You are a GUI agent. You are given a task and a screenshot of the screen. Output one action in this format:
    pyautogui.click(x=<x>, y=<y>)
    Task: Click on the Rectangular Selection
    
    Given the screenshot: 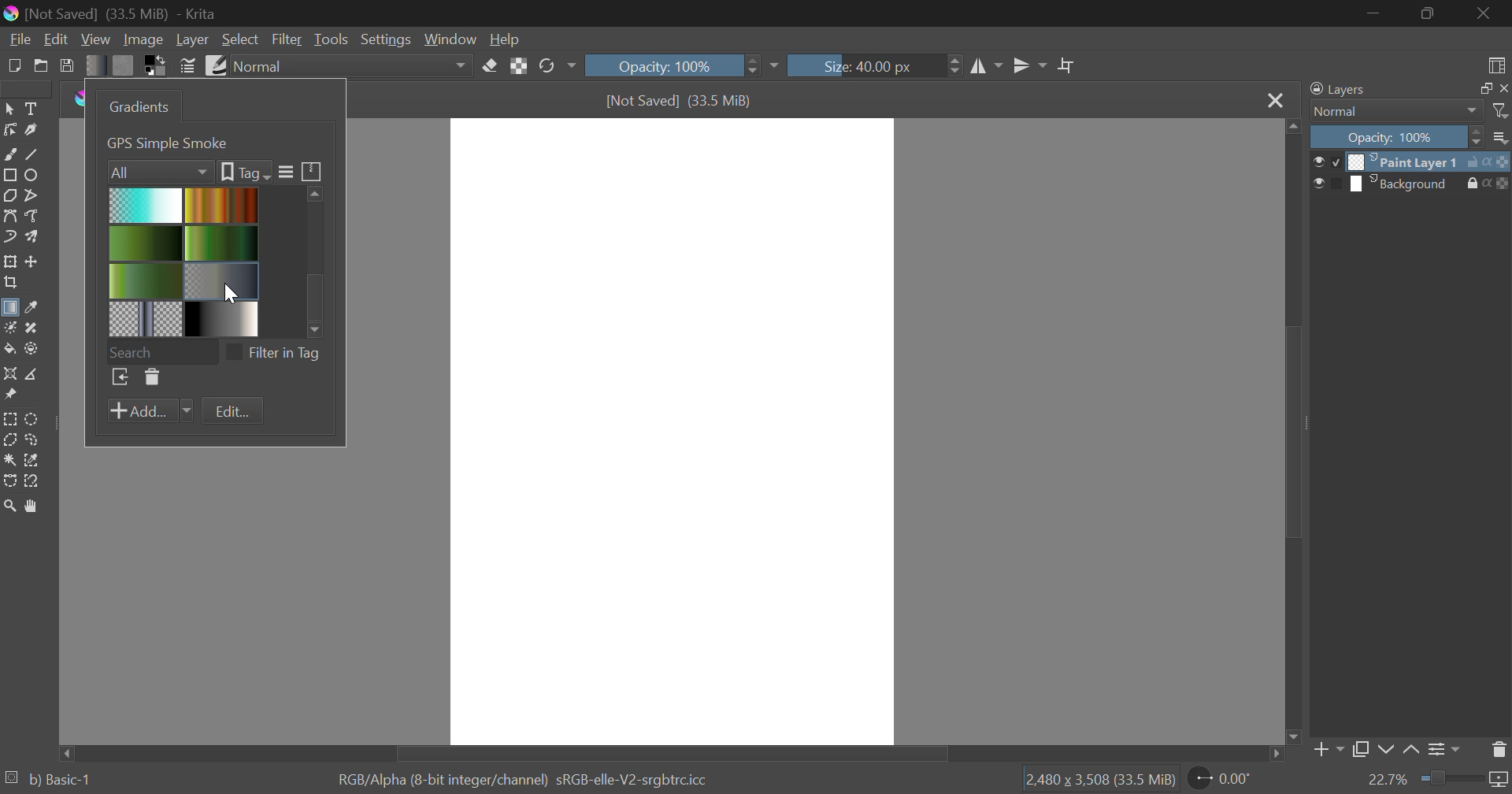 What is the action you would take?
    pyautogui.click(x=11, y=420)
    